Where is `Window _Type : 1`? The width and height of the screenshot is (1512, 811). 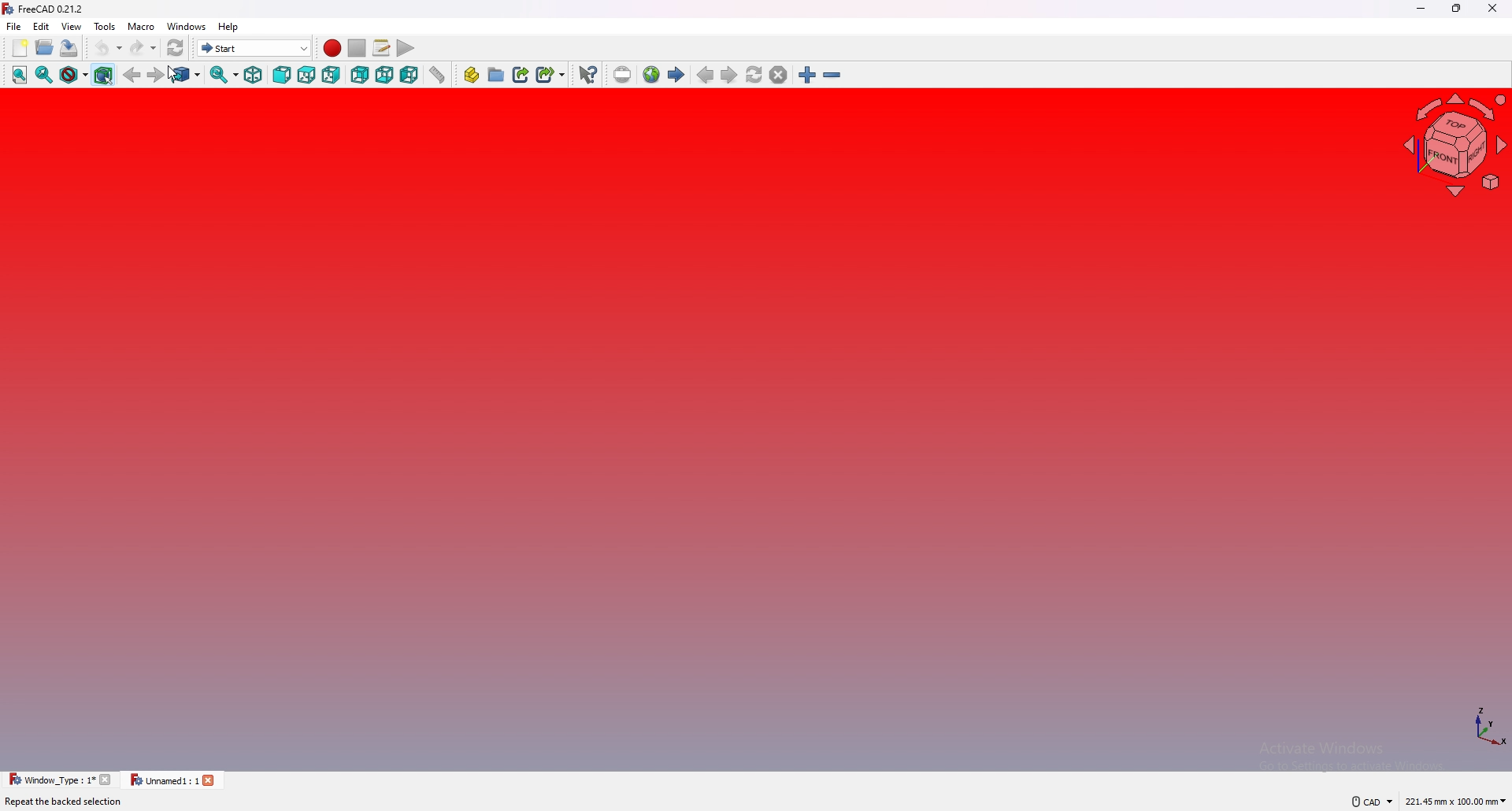
Window _Type : 1 is located at coordinates (52, 779).